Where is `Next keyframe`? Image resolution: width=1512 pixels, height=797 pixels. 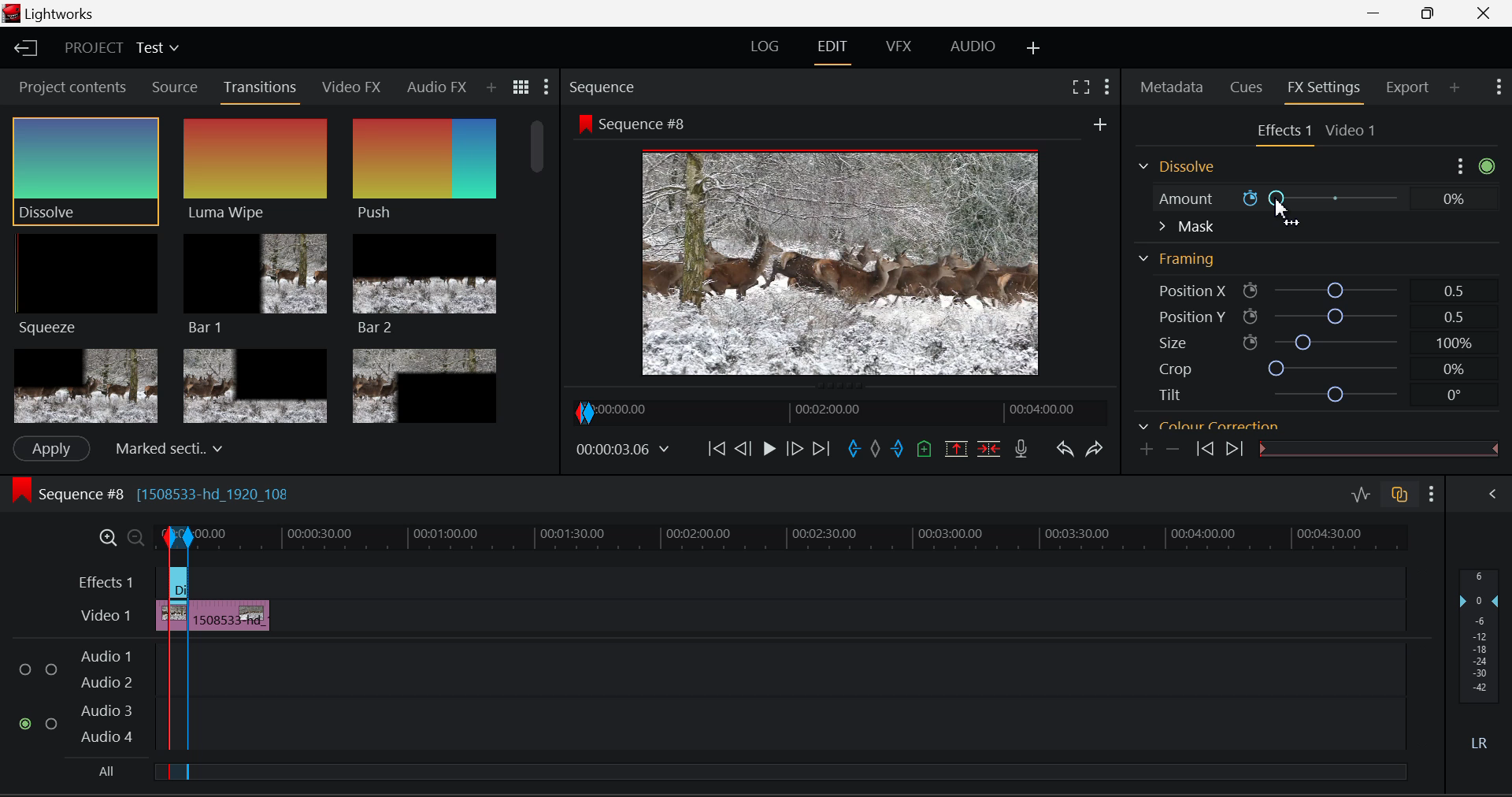
Next keyframe is located at coordinates (1232, 449).